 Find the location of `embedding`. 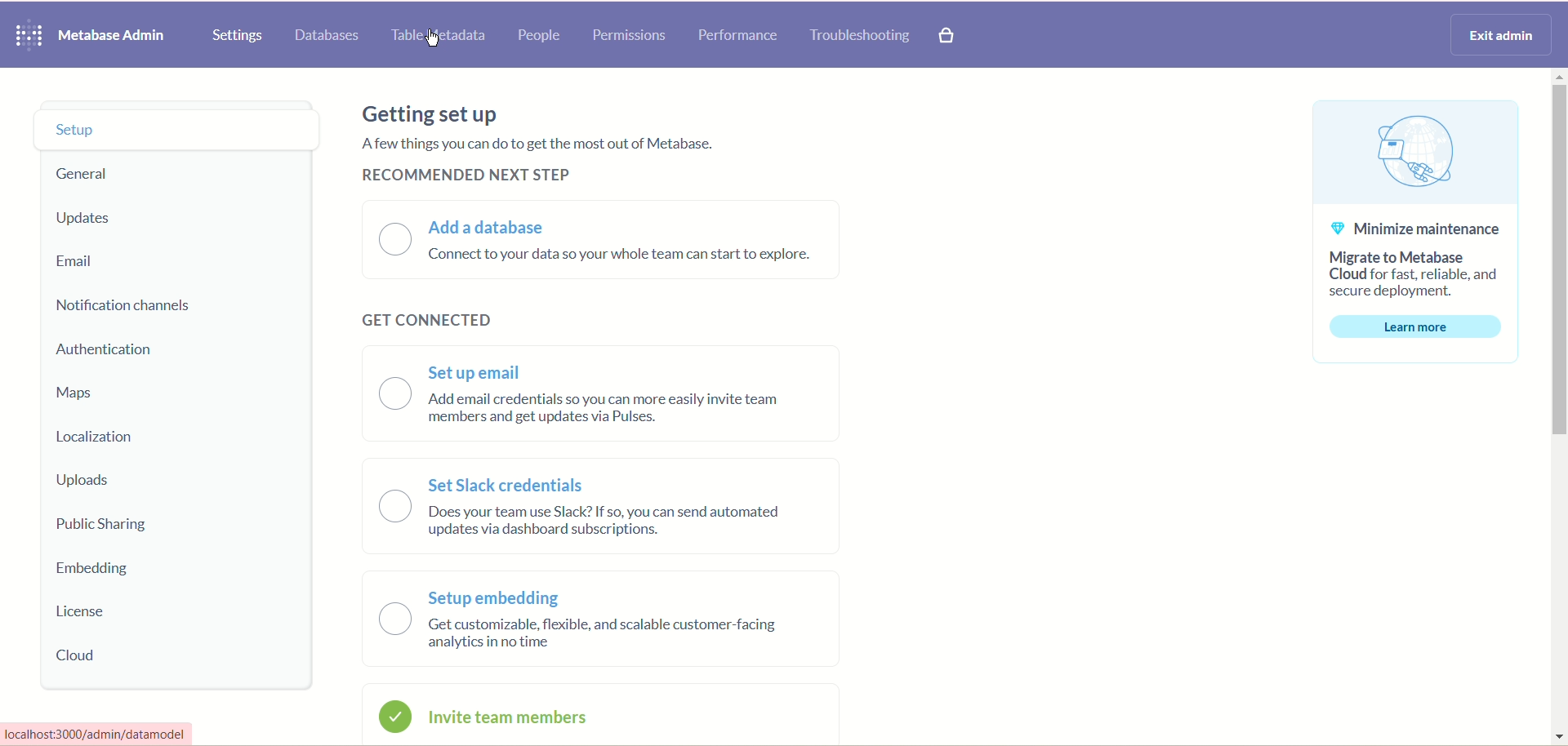

embedding is located at coordinates (97, 571).